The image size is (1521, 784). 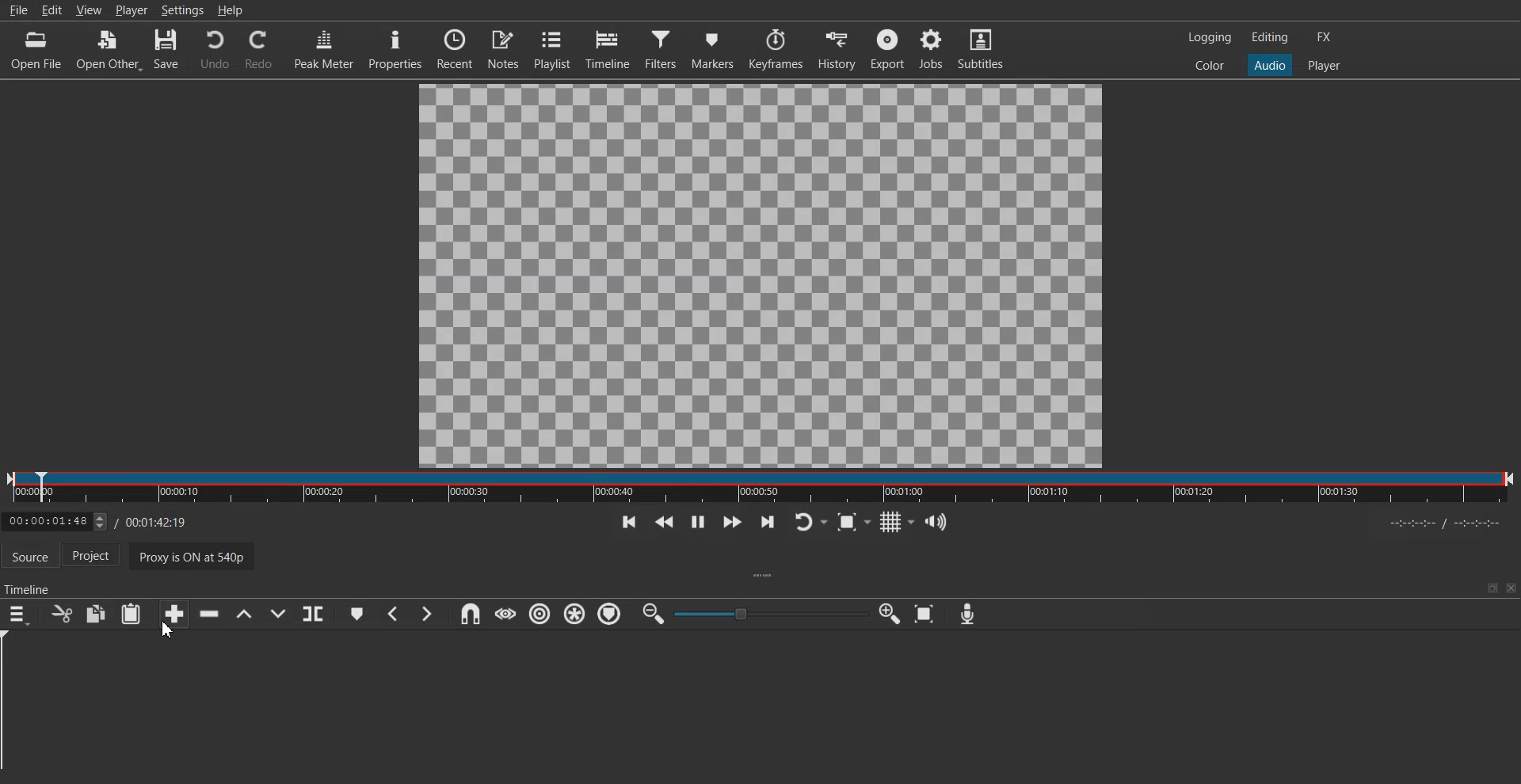 I want to click on Skip to the next point, so click(x=766, y=523).